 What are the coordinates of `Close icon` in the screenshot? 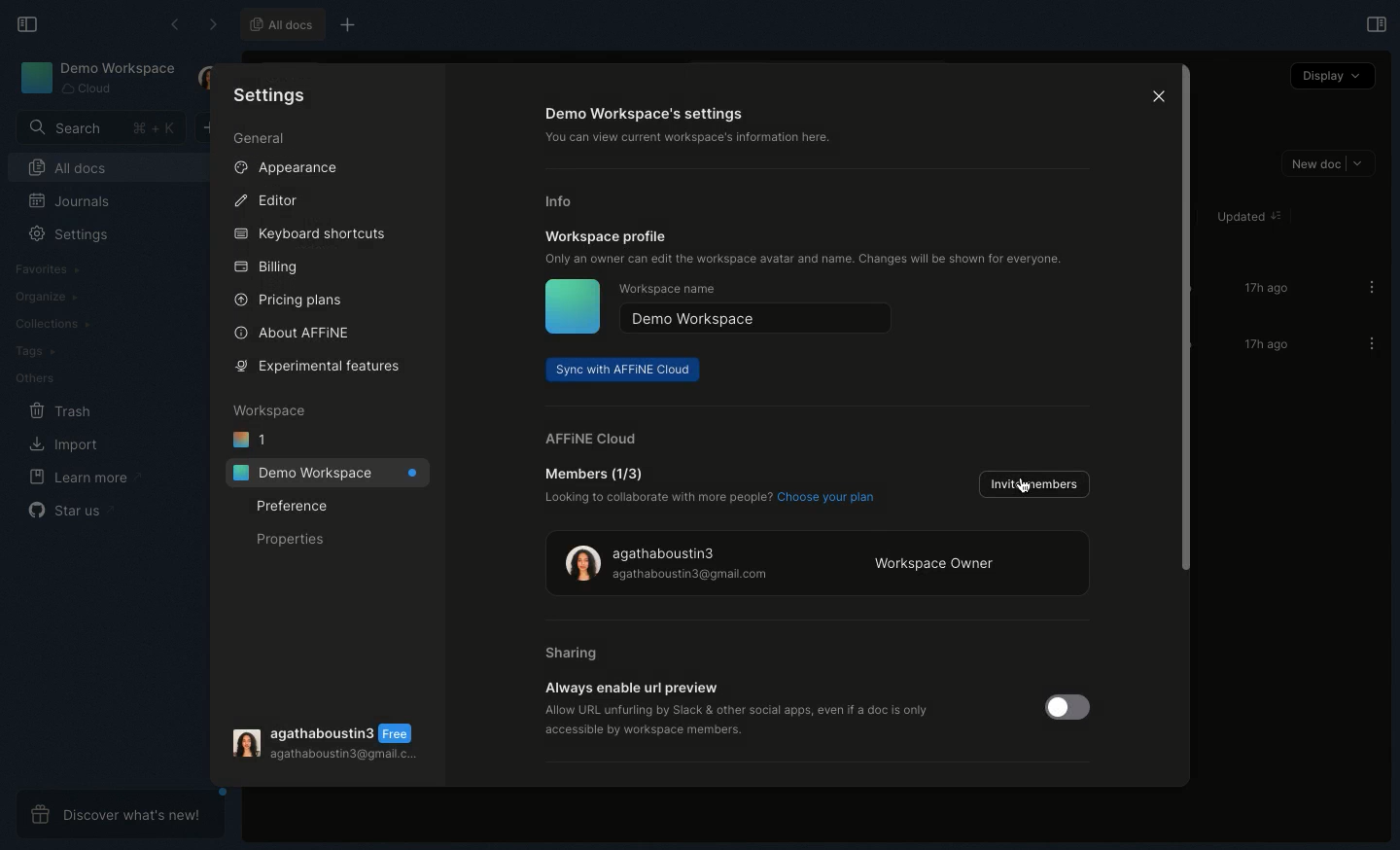 It's located at (1155, 94).